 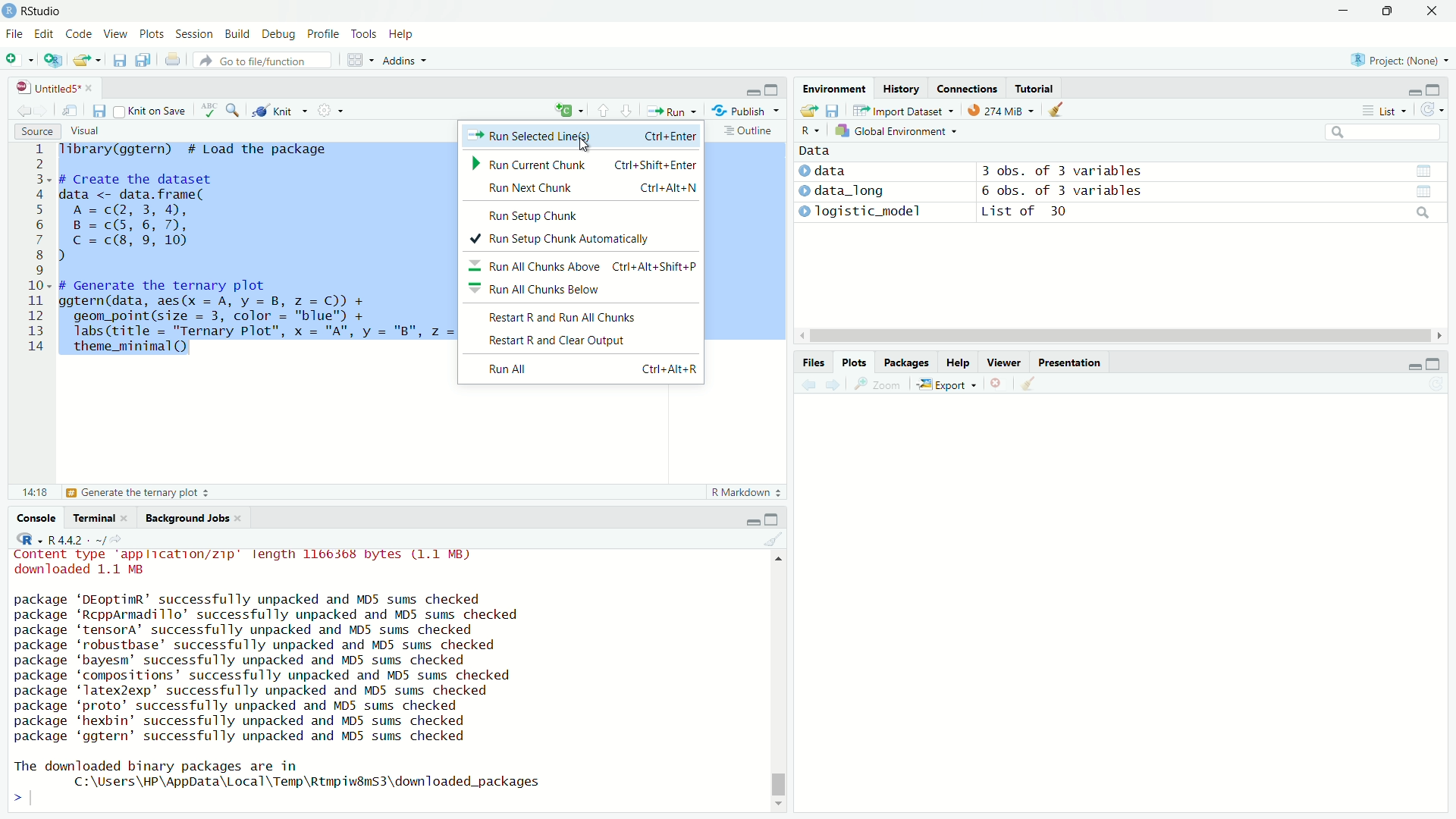 I want to click on clear, so click(x=1065, y=112).